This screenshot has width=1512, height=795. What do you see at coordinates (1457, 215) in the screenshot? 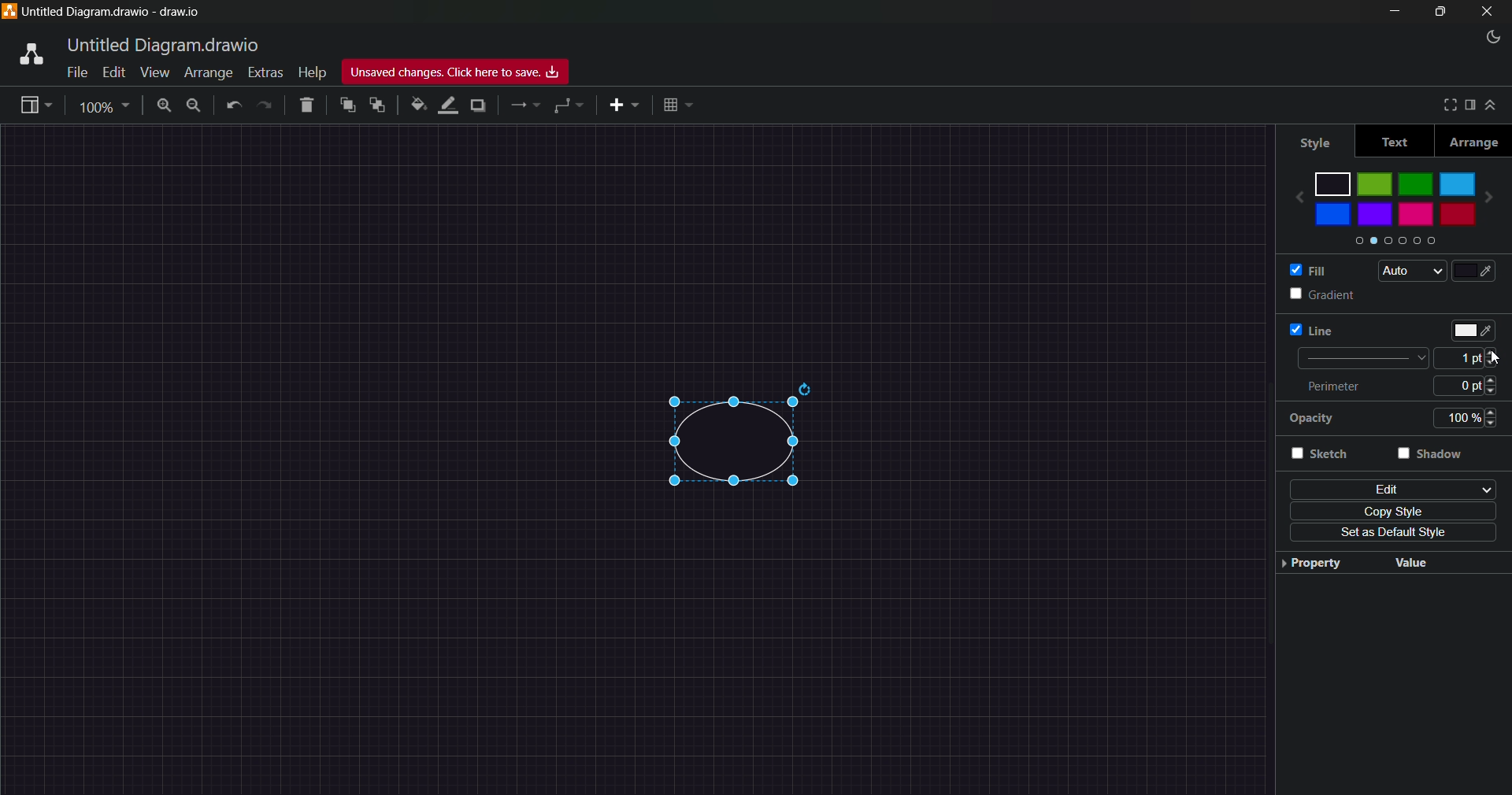
I see `red` at bounding box center [1457, 215].